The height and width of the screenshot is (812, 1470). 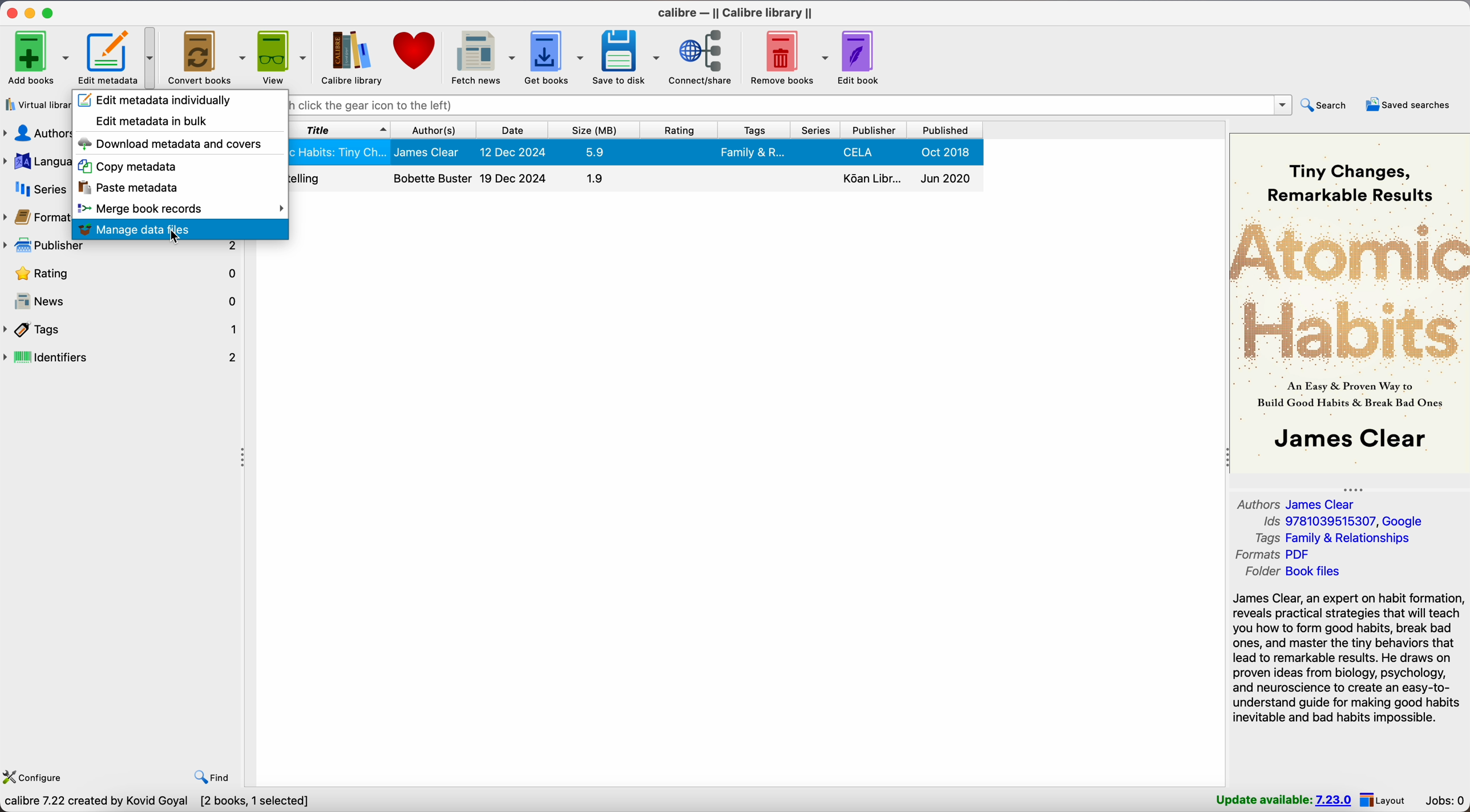 What do you see at coordinates (127, 302) in the screenshot?
I see `news` at bounding box center [127, 302].